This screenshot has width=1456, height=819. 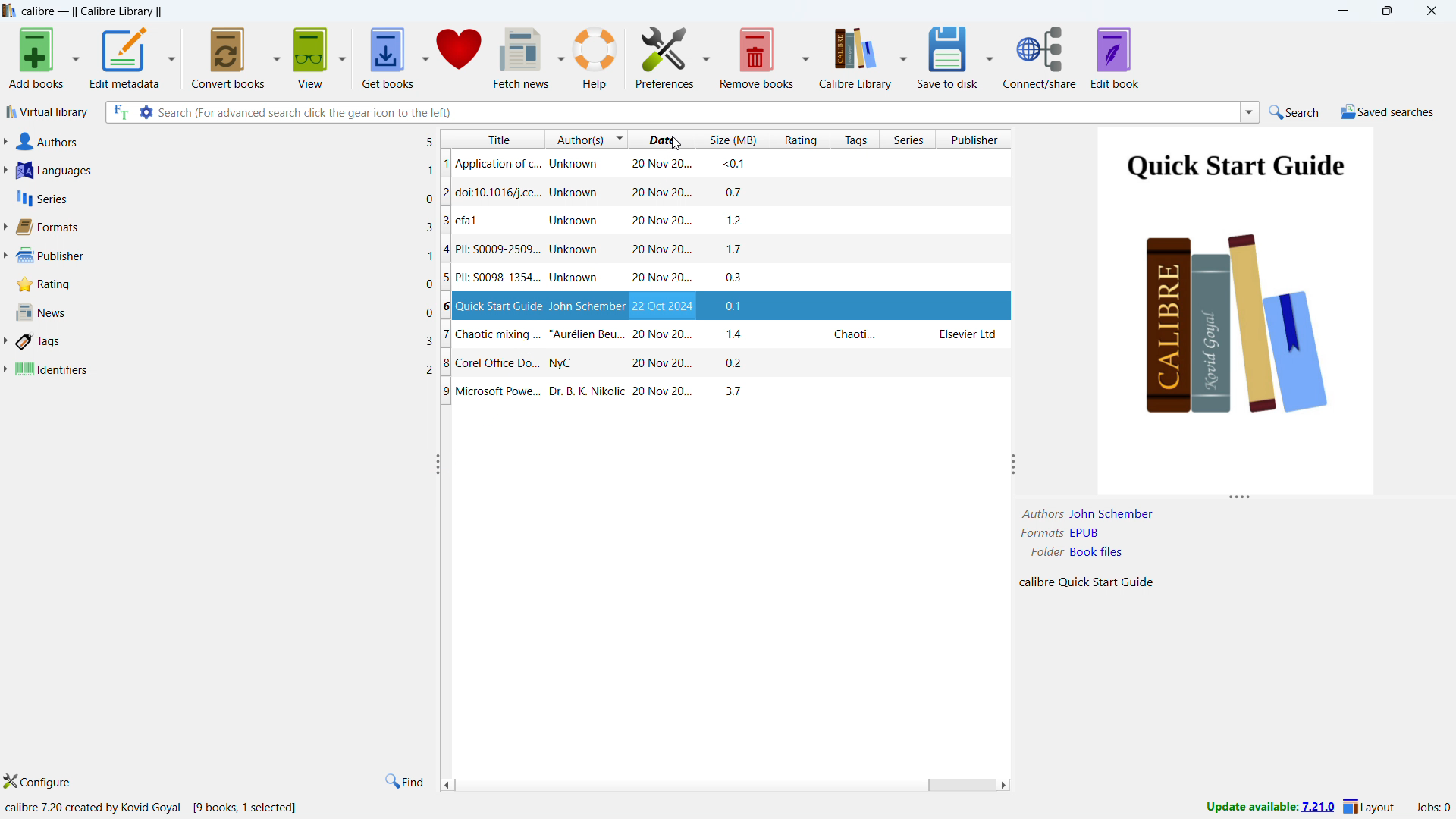 What do you see at coordinates (522, 57) in the screenshot?
I see `fetch news` at bounding box center [522, 57].